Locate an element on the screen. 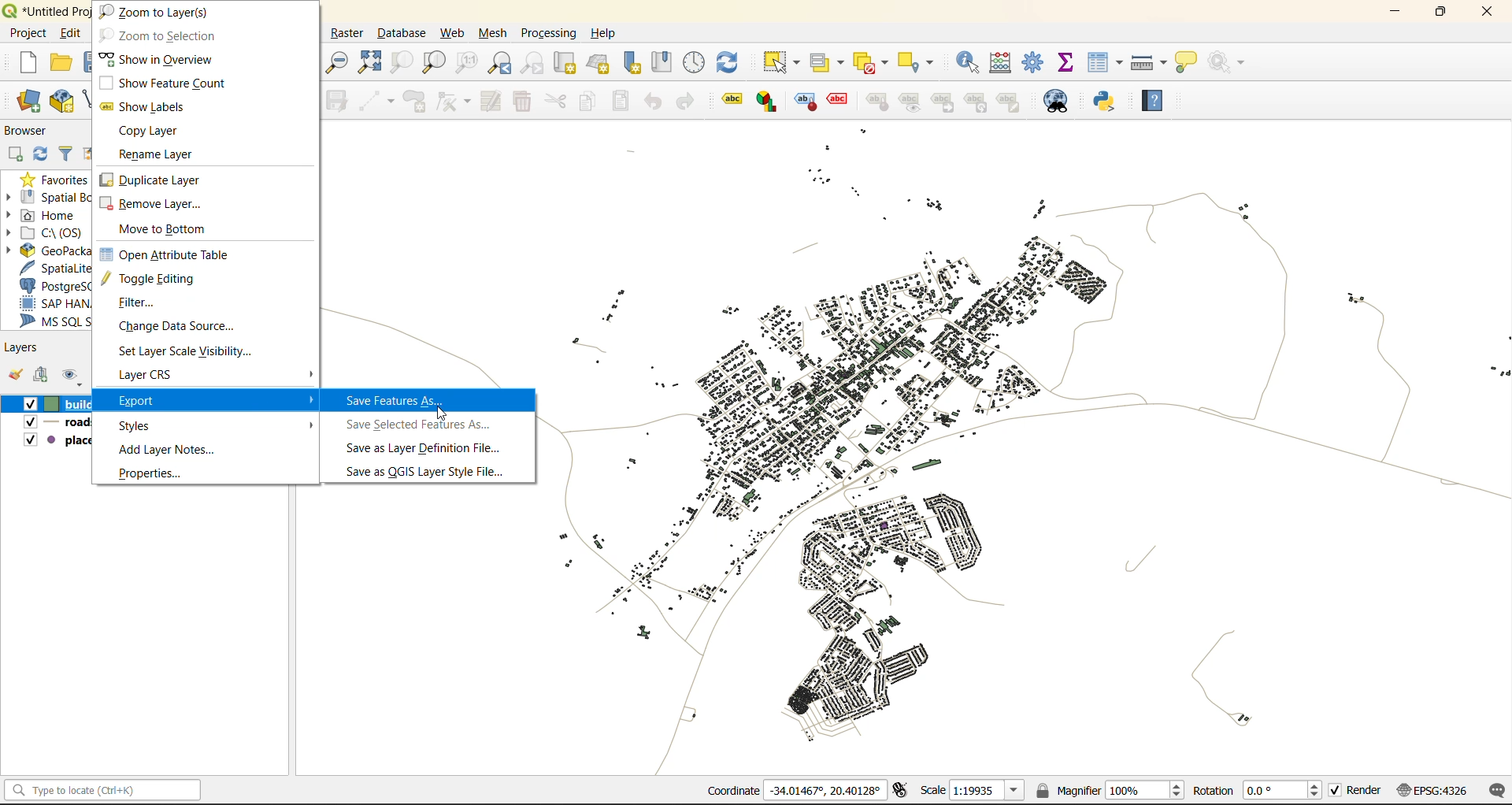 Image resolution: width=1512 pixels, height=805 pixels. Edit is located at coordinates (69, 31).